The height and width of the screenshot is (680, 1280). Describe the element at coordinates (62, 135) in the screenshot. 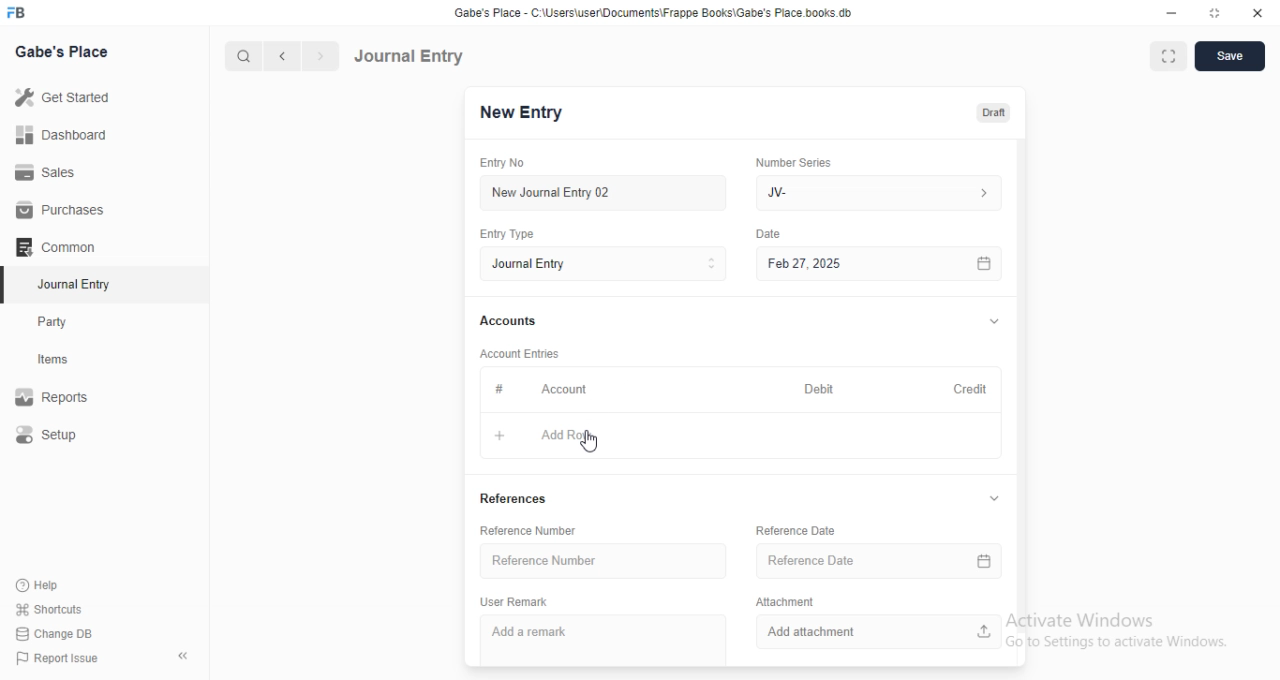

I see `Dashboard` at that location.